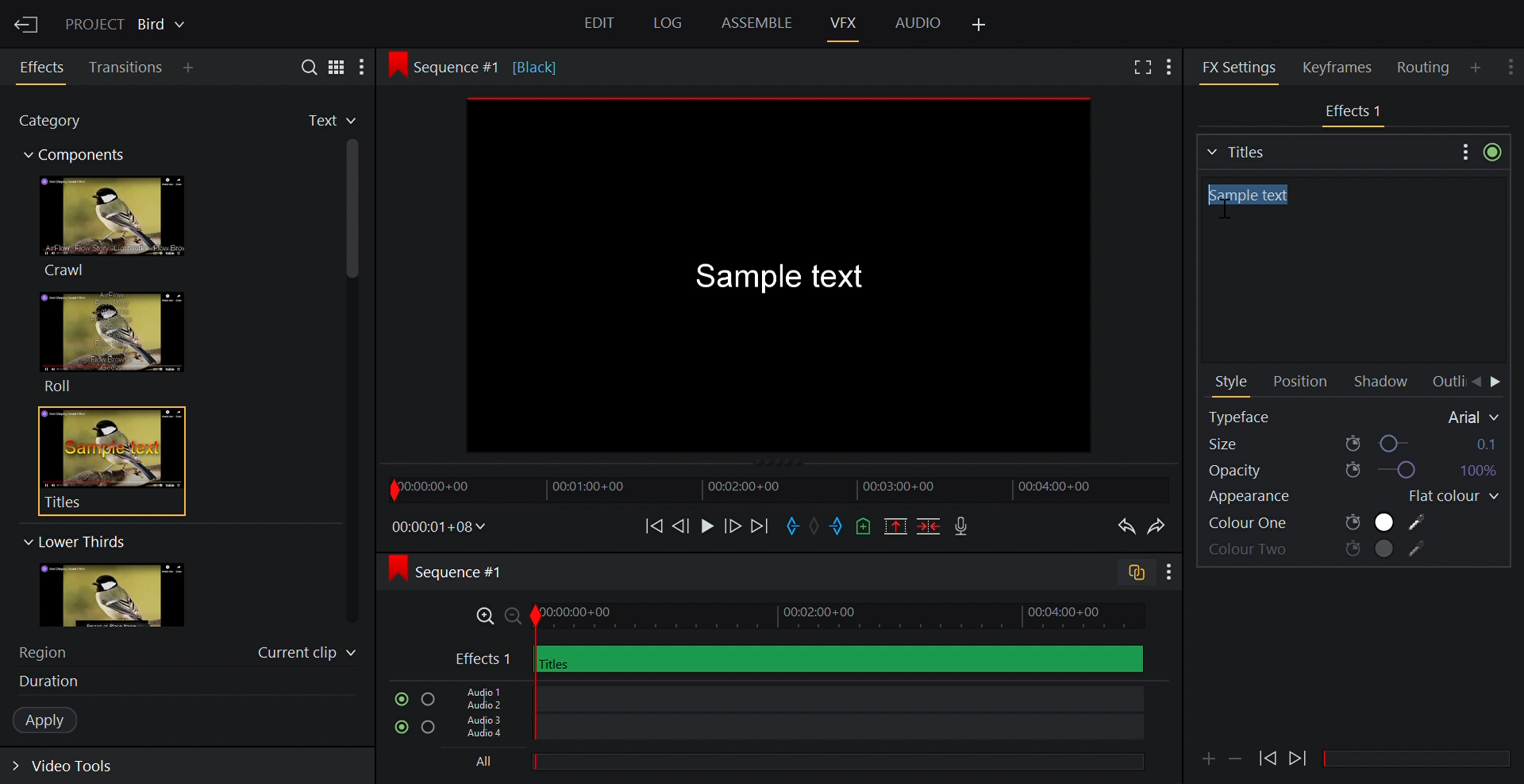  What do you see at coordinates (53, 721) in the screenshot?
I see `Apply` at bounding box center [53, 721].